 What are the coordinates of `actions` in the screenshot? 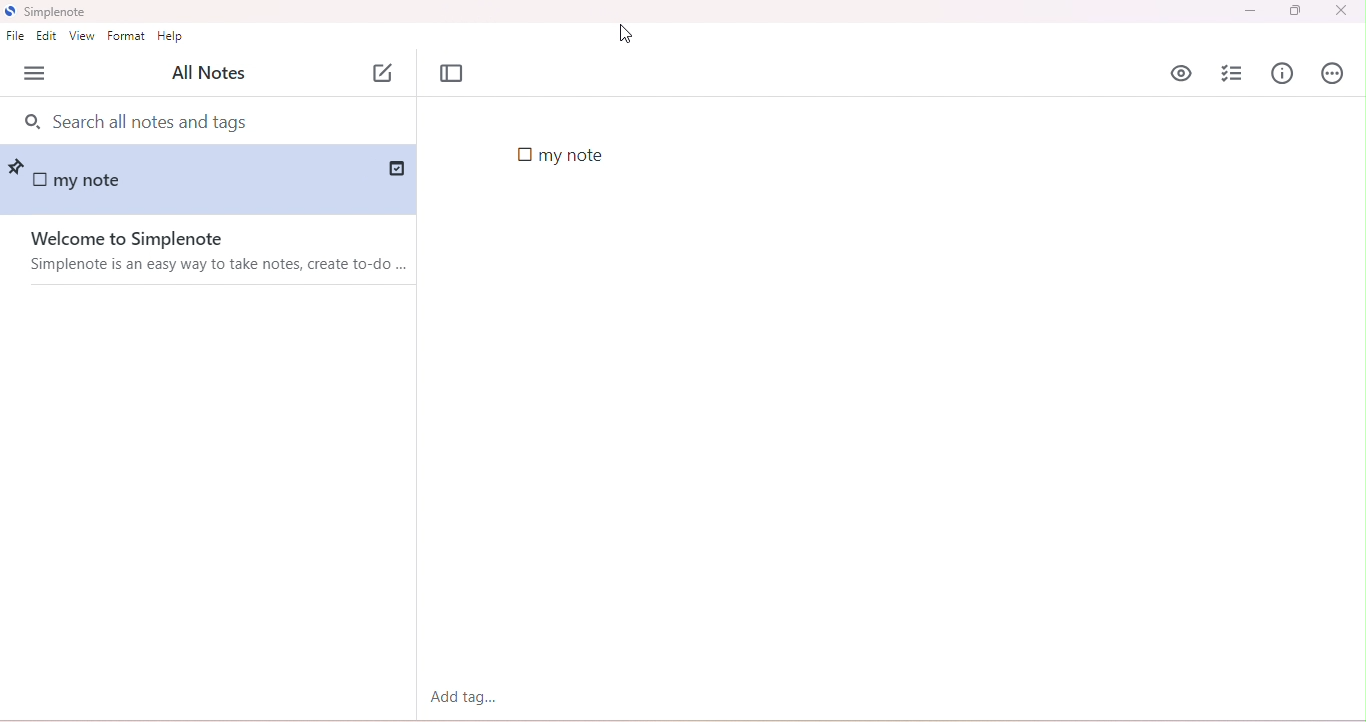 It's located at (1333, 74).